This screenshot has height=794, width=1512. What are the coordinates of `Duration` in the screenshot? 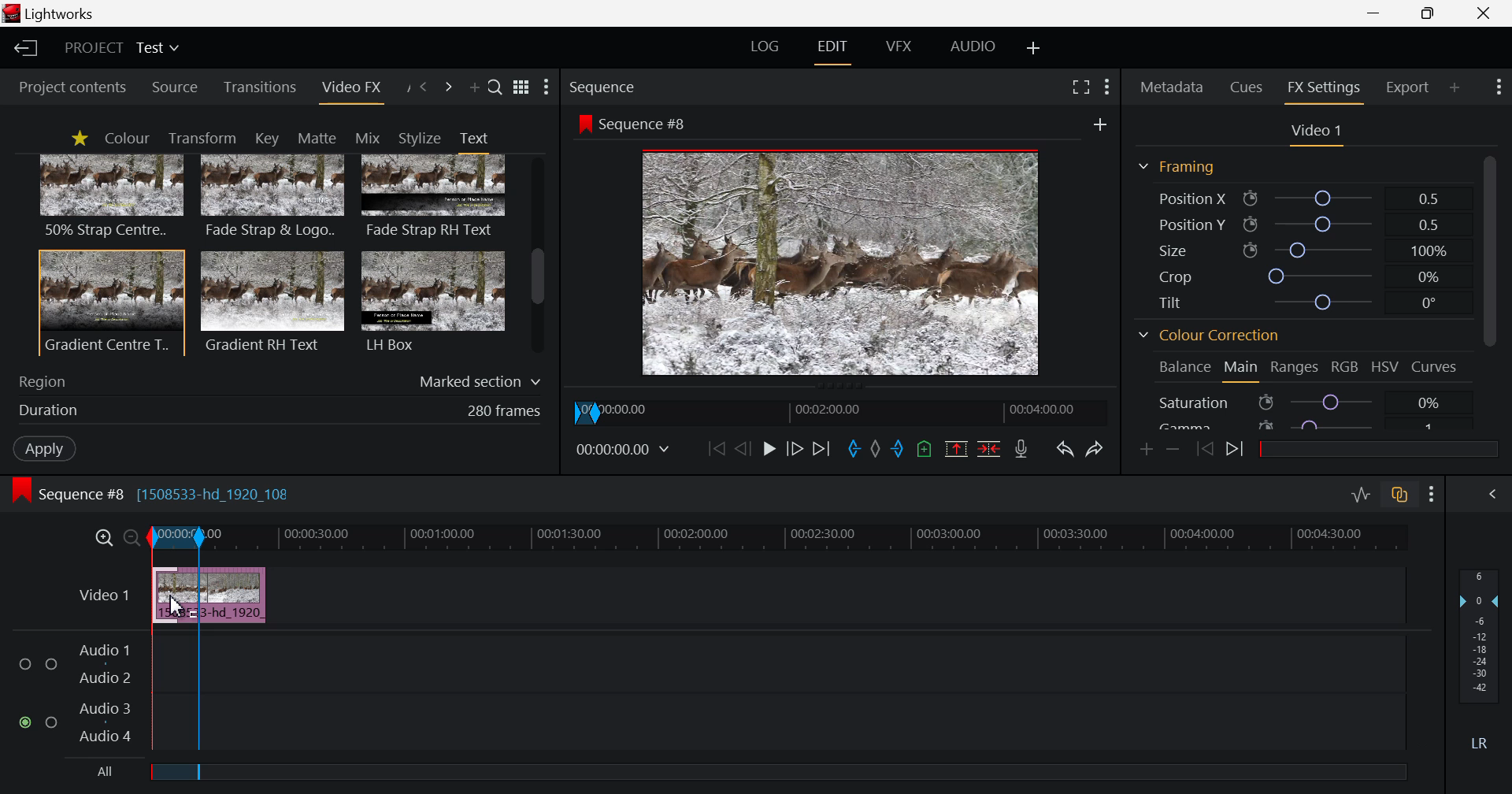 It's located at (276, 410).